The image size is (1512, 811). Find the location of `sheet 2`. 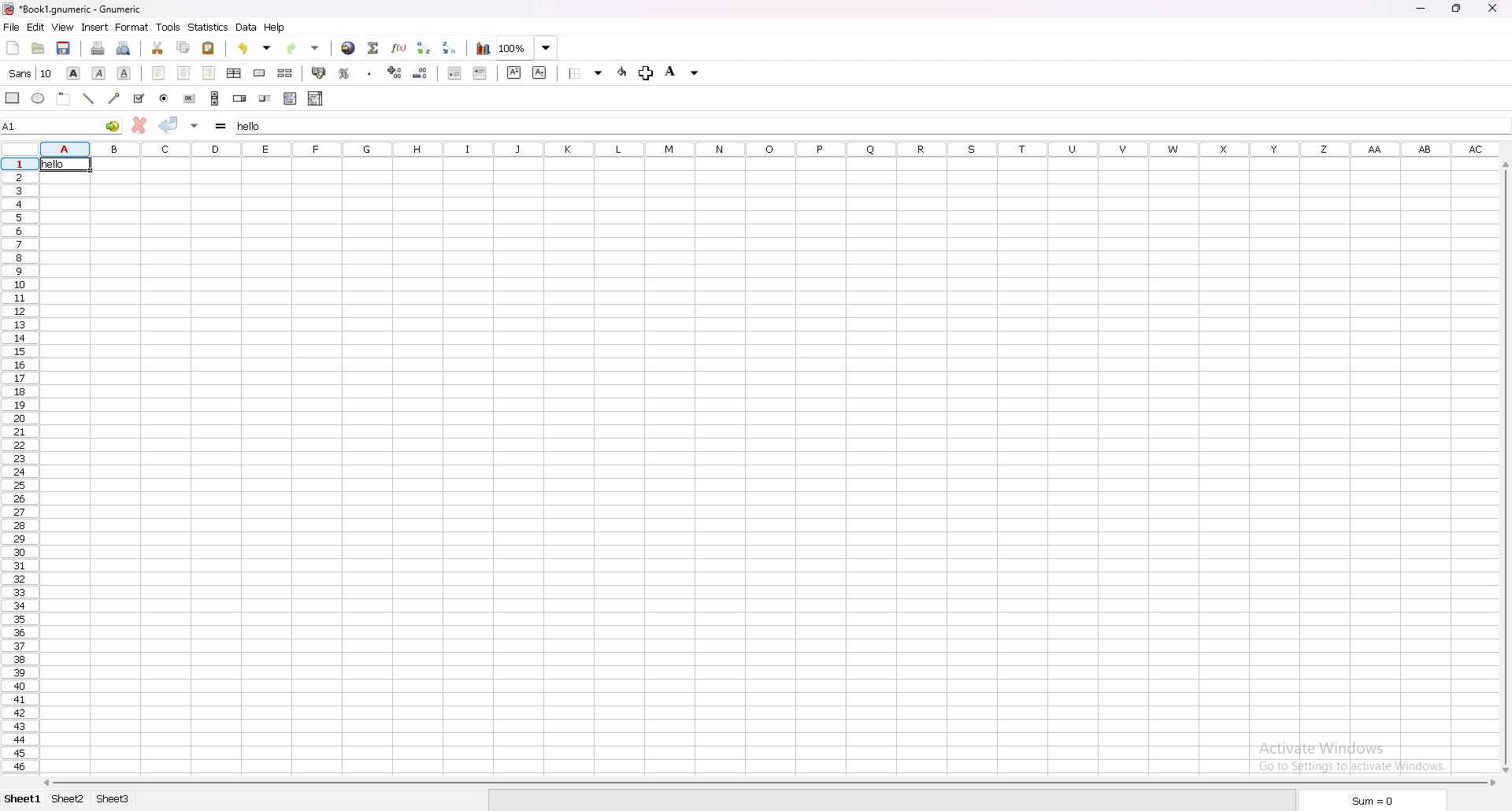

sheet 2 is located at coordinates (69, 798).